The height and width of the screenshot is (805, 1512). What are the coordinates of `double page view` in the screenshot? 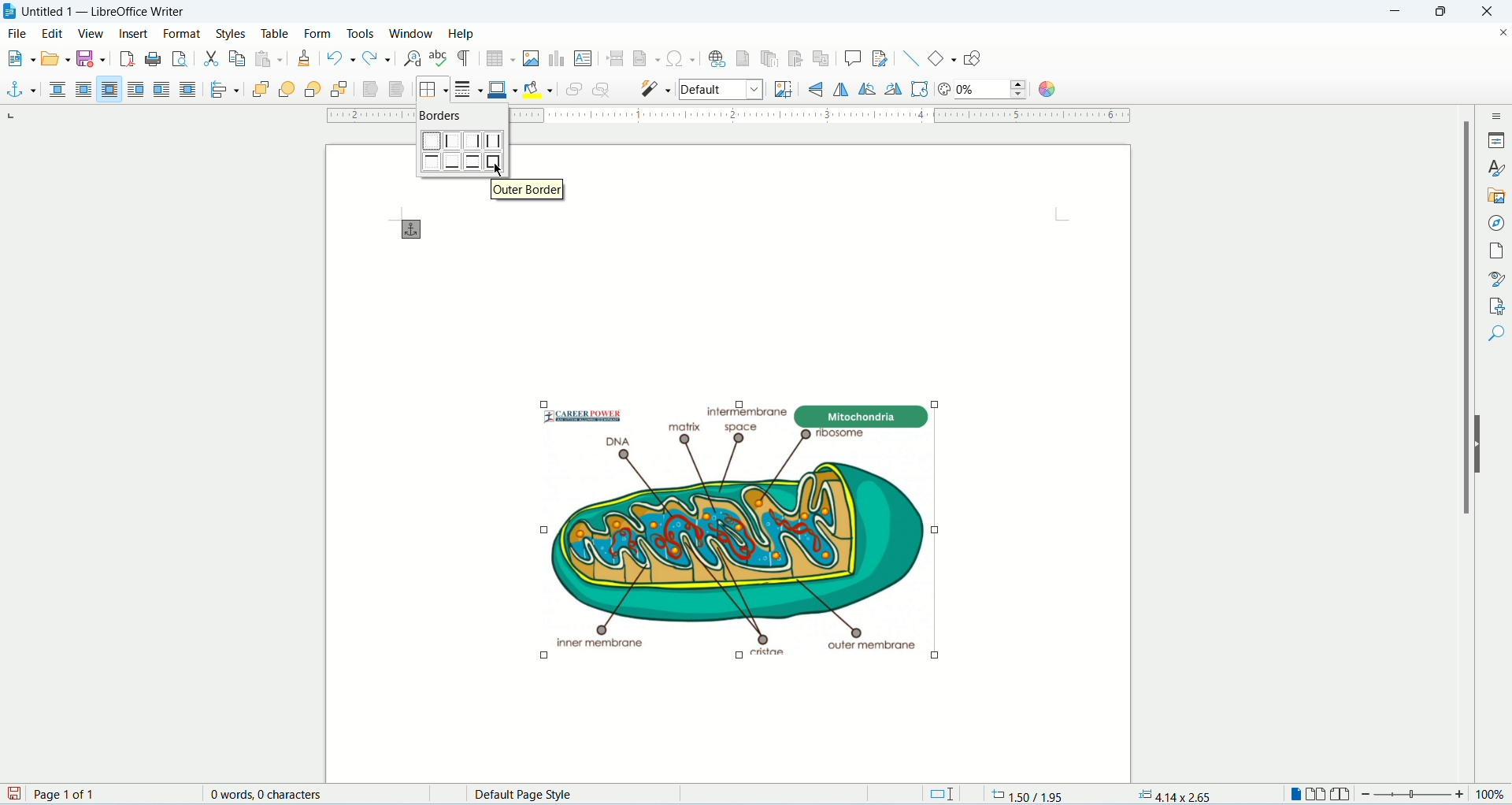 It's located at (1317, 796).